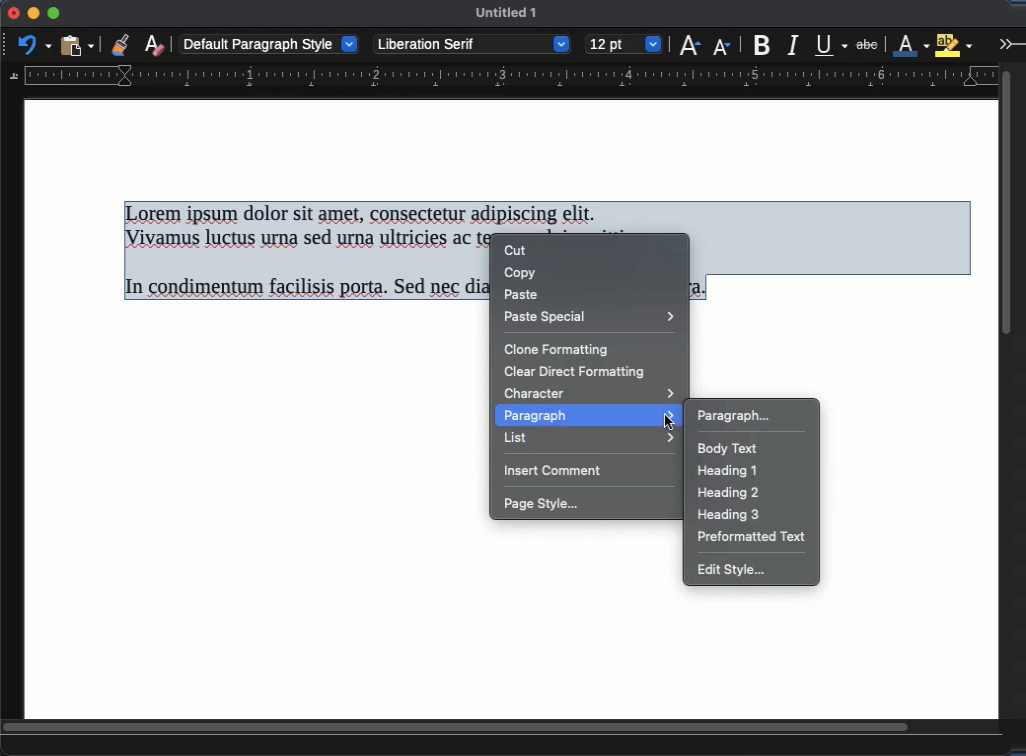  What do you see at coordinates (473, 44) in the screenshot?
I see `Liberation serif - font` at bounding box center [473, 44].